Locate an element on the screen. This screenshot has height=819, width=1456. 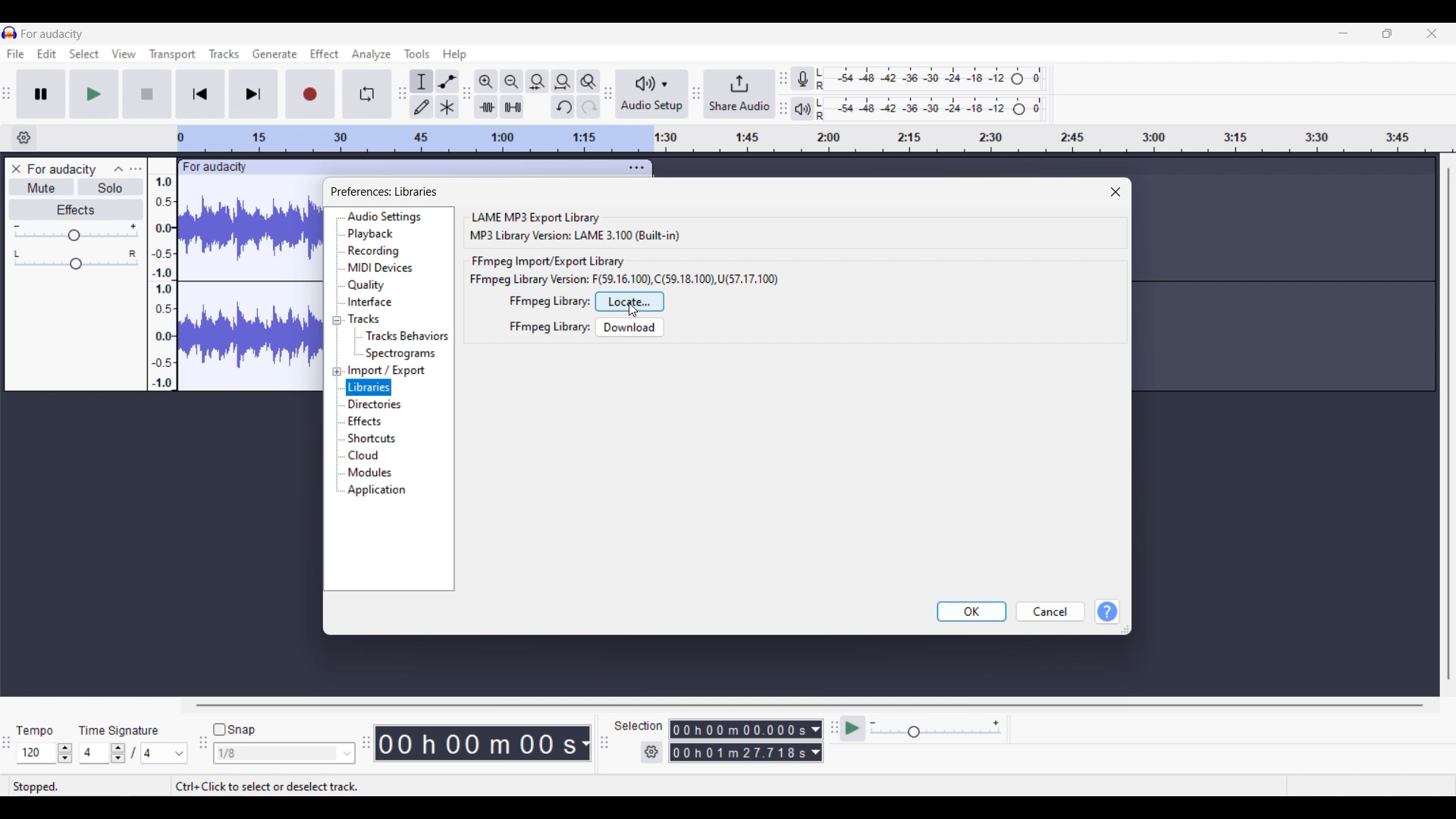
Generate menu is located at coordinates (275, 54).